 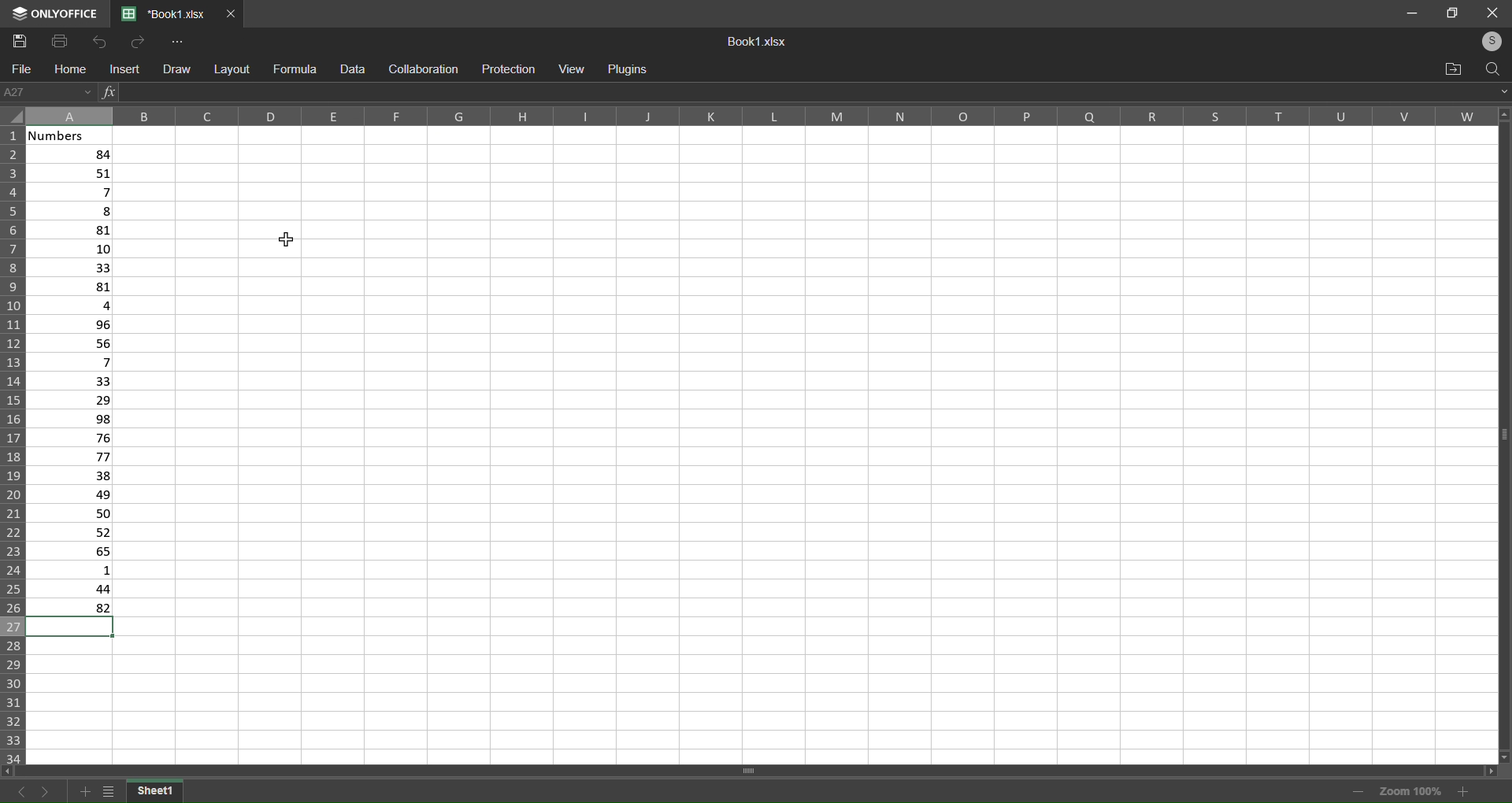 I want to click on expand, so click(x=1501, y=89).